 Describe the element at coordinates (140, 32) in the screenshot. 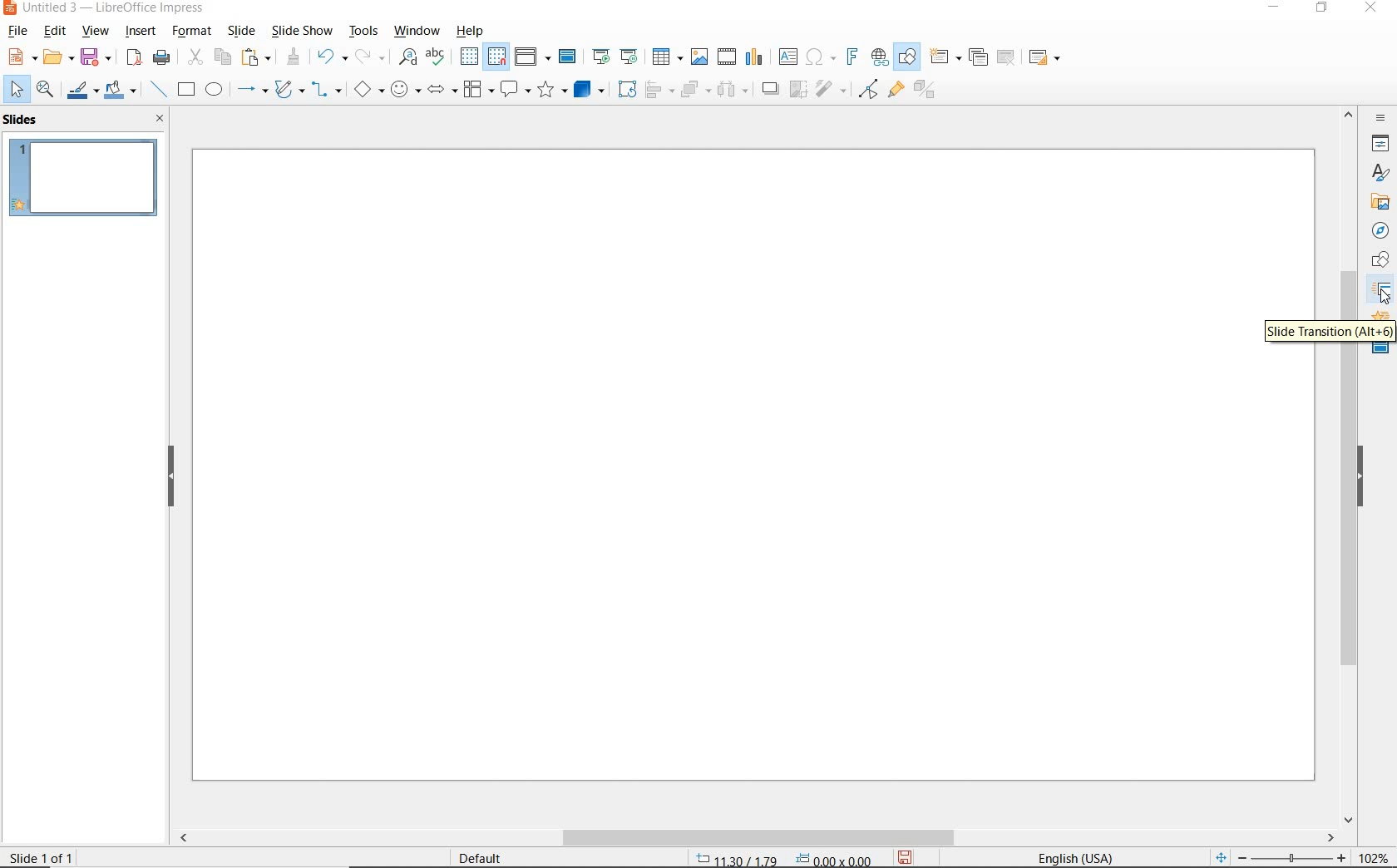

I see `INSERT` at that location.